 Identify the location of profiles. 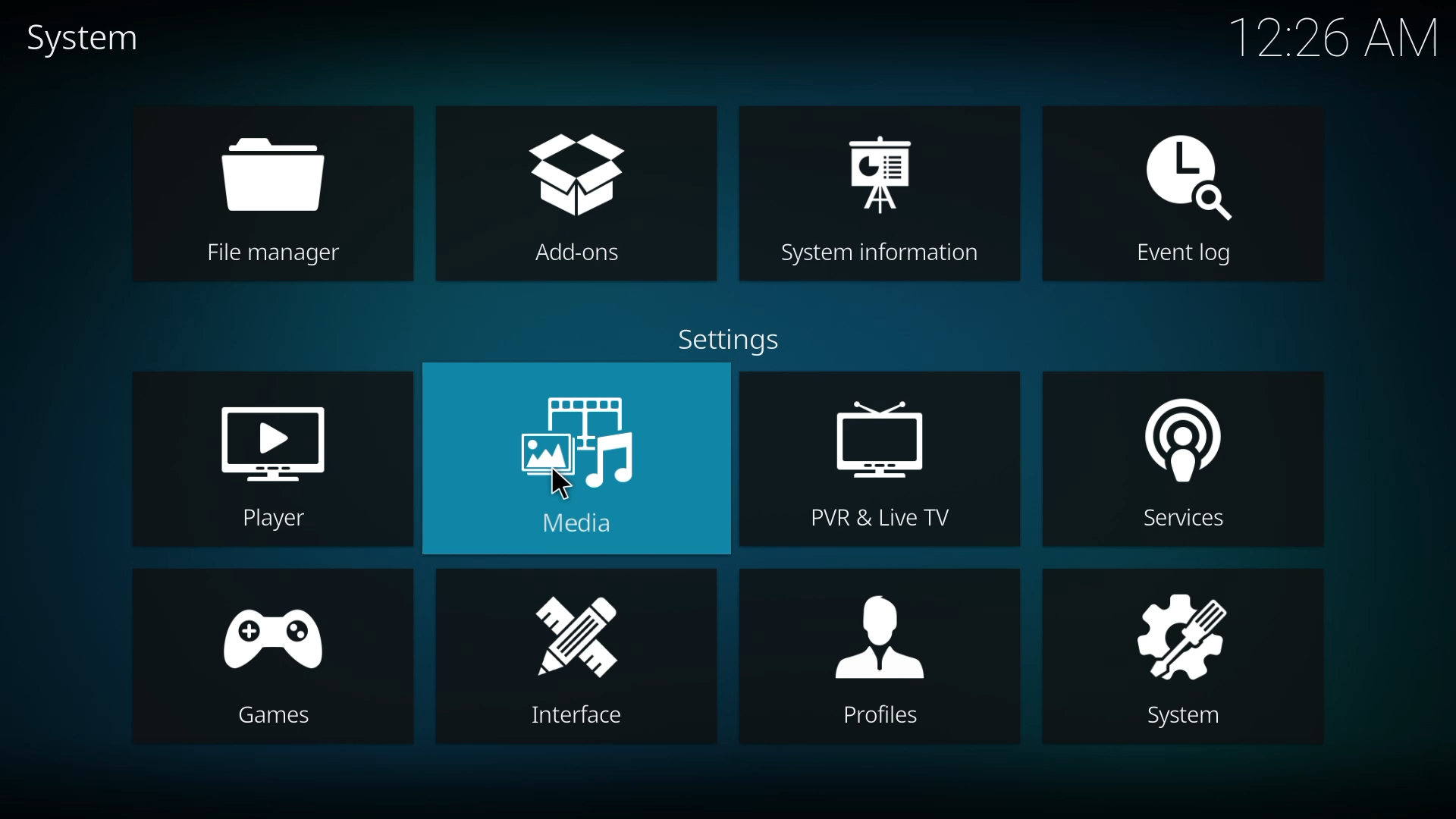
(879, 661).